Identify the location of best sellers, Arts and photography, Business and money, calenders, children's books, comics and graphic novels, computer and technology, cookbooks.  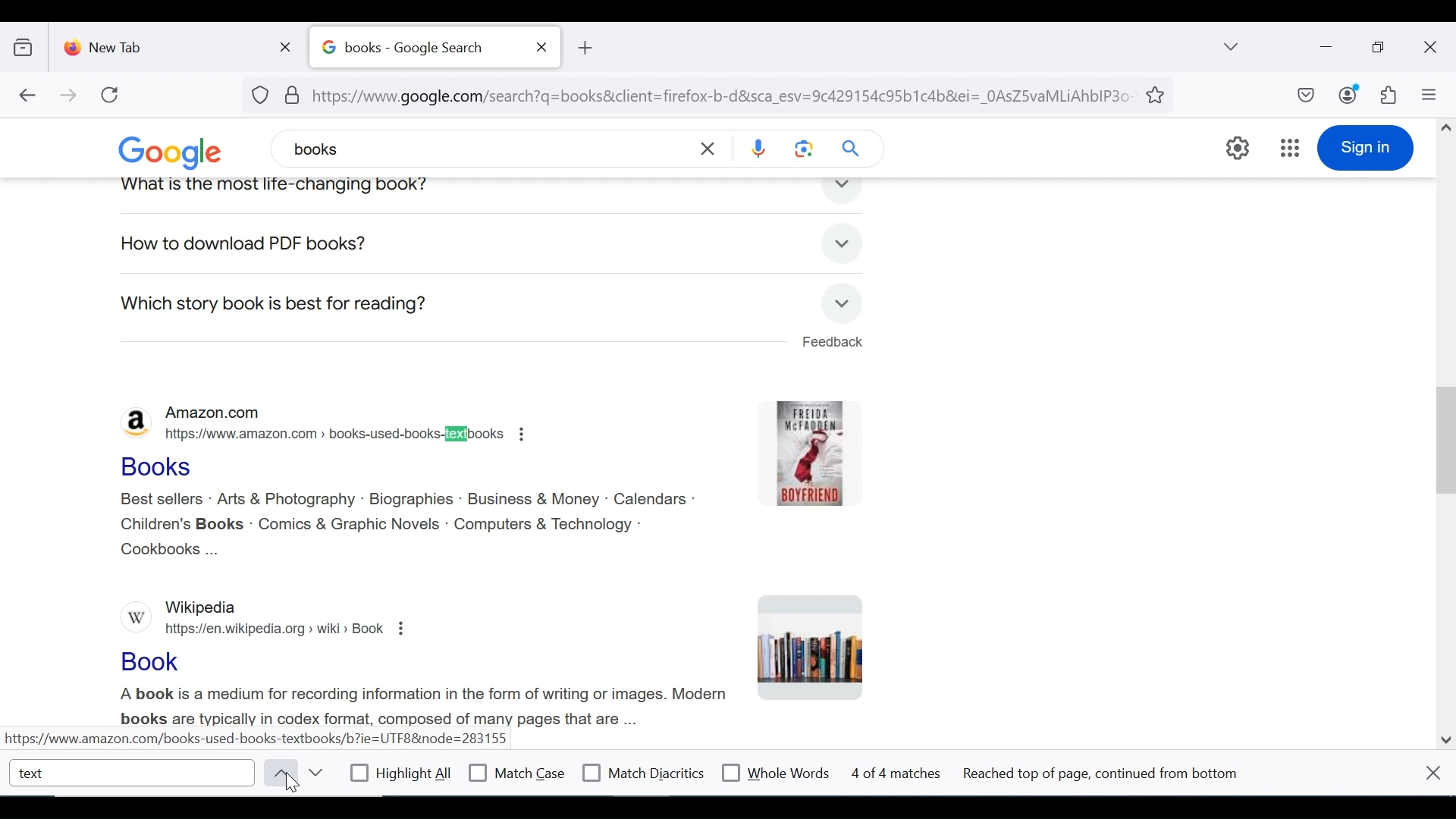
(406, 526).